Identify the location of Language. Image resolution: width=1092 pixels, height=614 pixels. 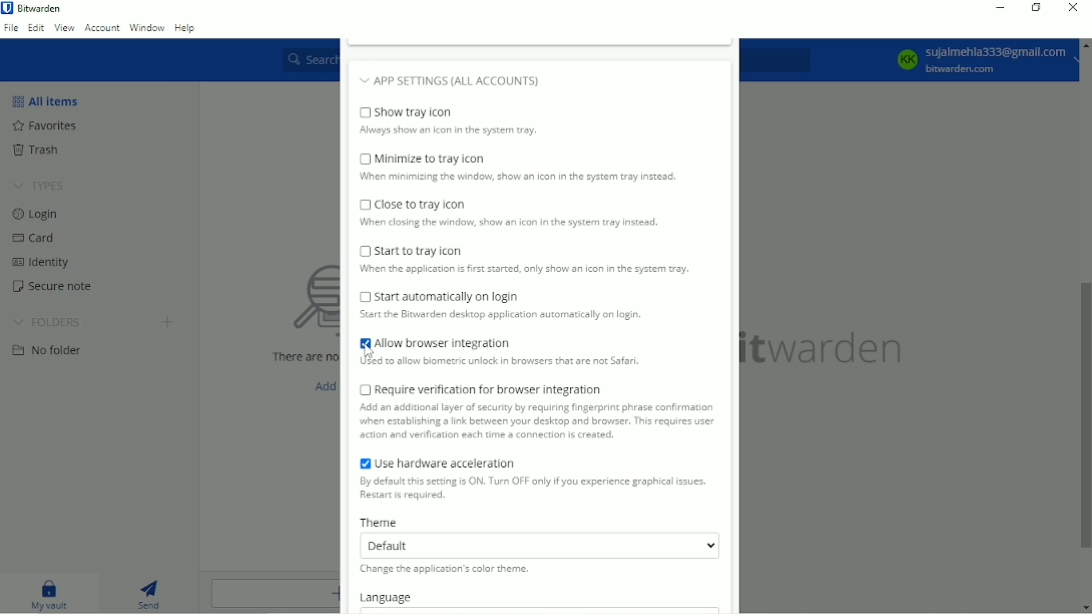
(390, 597).